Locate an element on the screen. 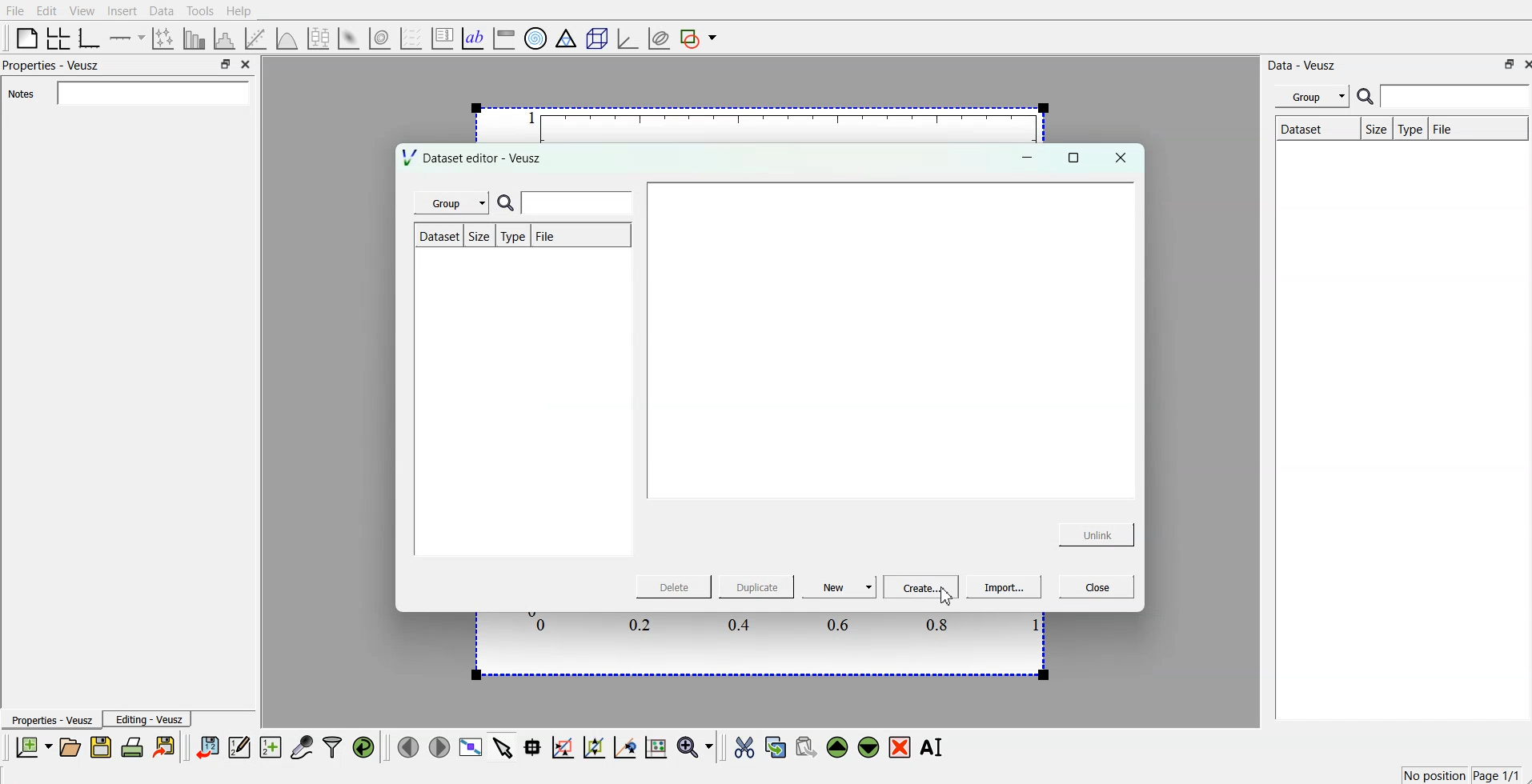 The width and height of the screenshot is (1532, 784). Tools is located at coordinates (200, 11).